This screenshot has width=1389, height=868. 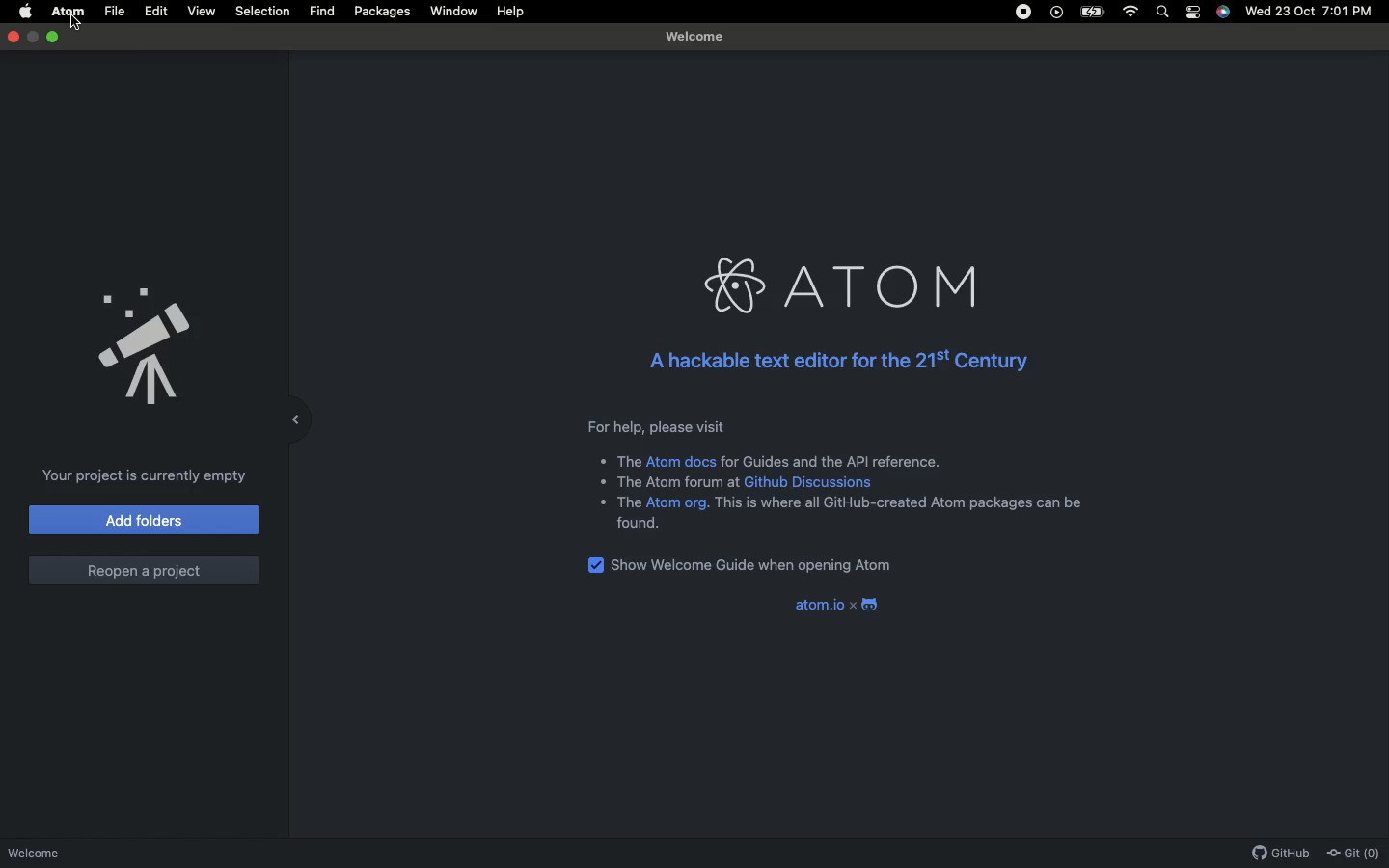 What do you see at coordinates (1018, 12) in the screenshot?
I see `Recording` at bounding box center [1018, 12].